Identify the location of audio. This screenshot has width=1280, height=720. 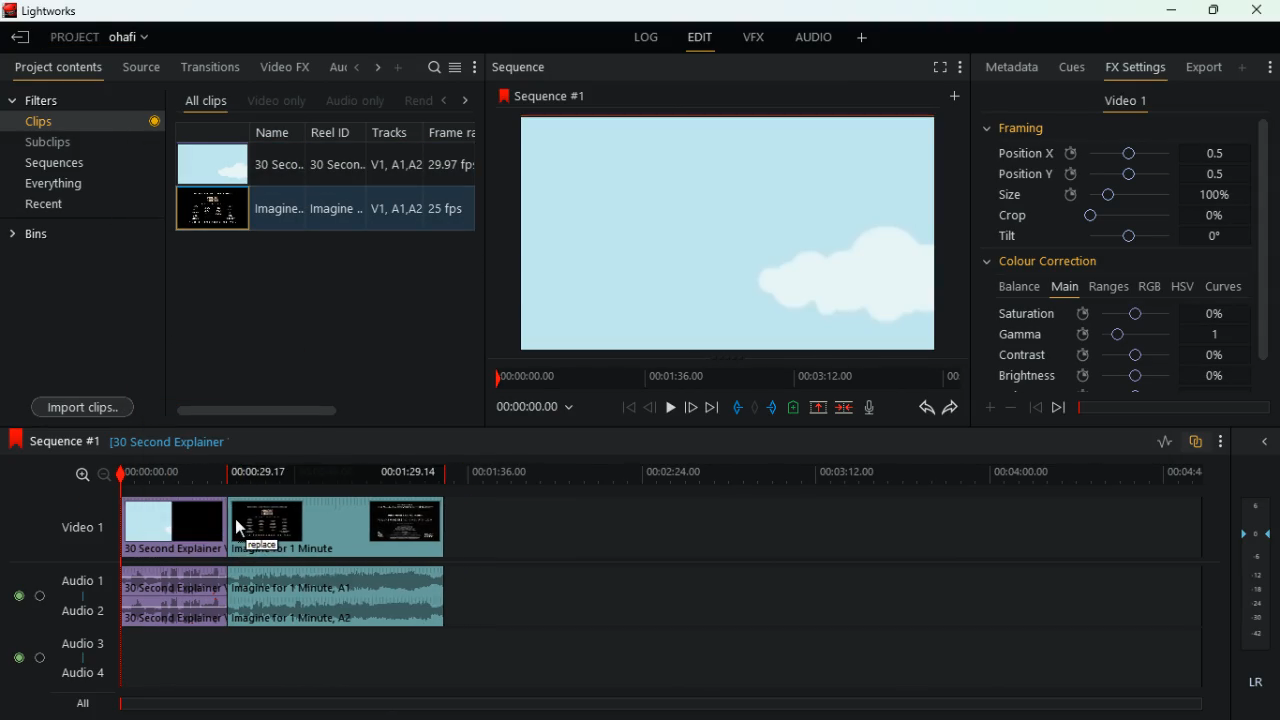
(176, 596).